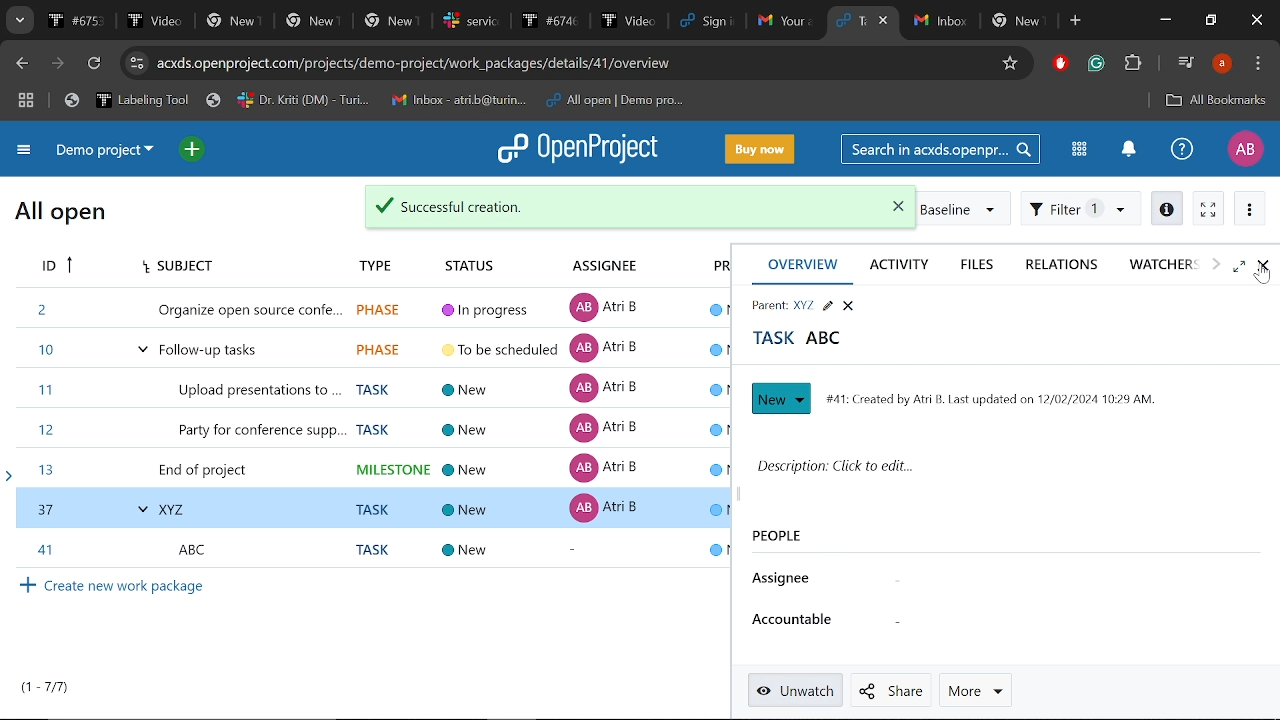  What do you see at coordinates (1127, 151) in the screenshot?
I see `Notification` at bounding box center [1127, 151].